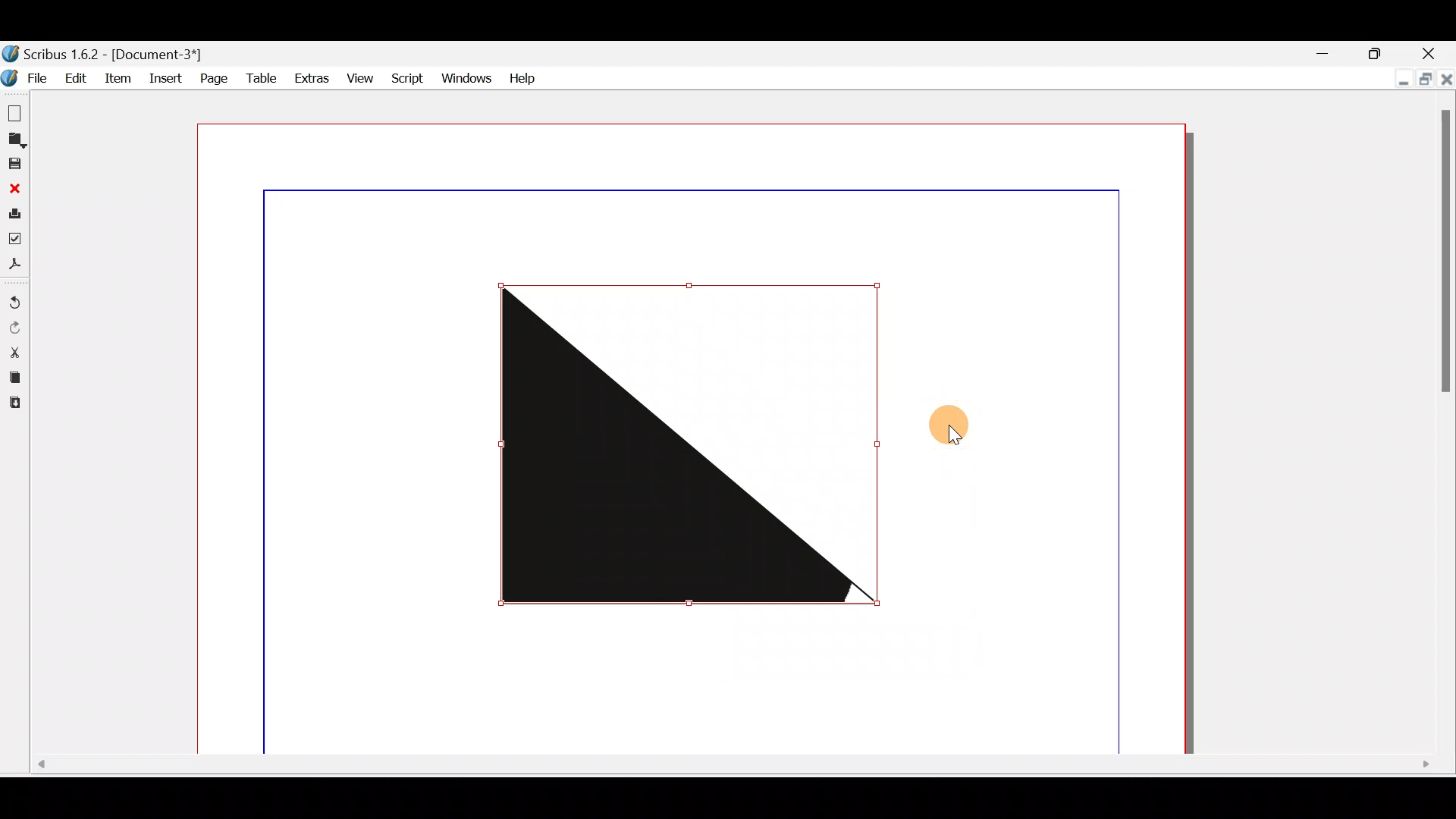 The image size is (1456, 819). What do you see at coordinates (406, 78) in the screenshot?
I see `Script` at bounding box center [406, 78].